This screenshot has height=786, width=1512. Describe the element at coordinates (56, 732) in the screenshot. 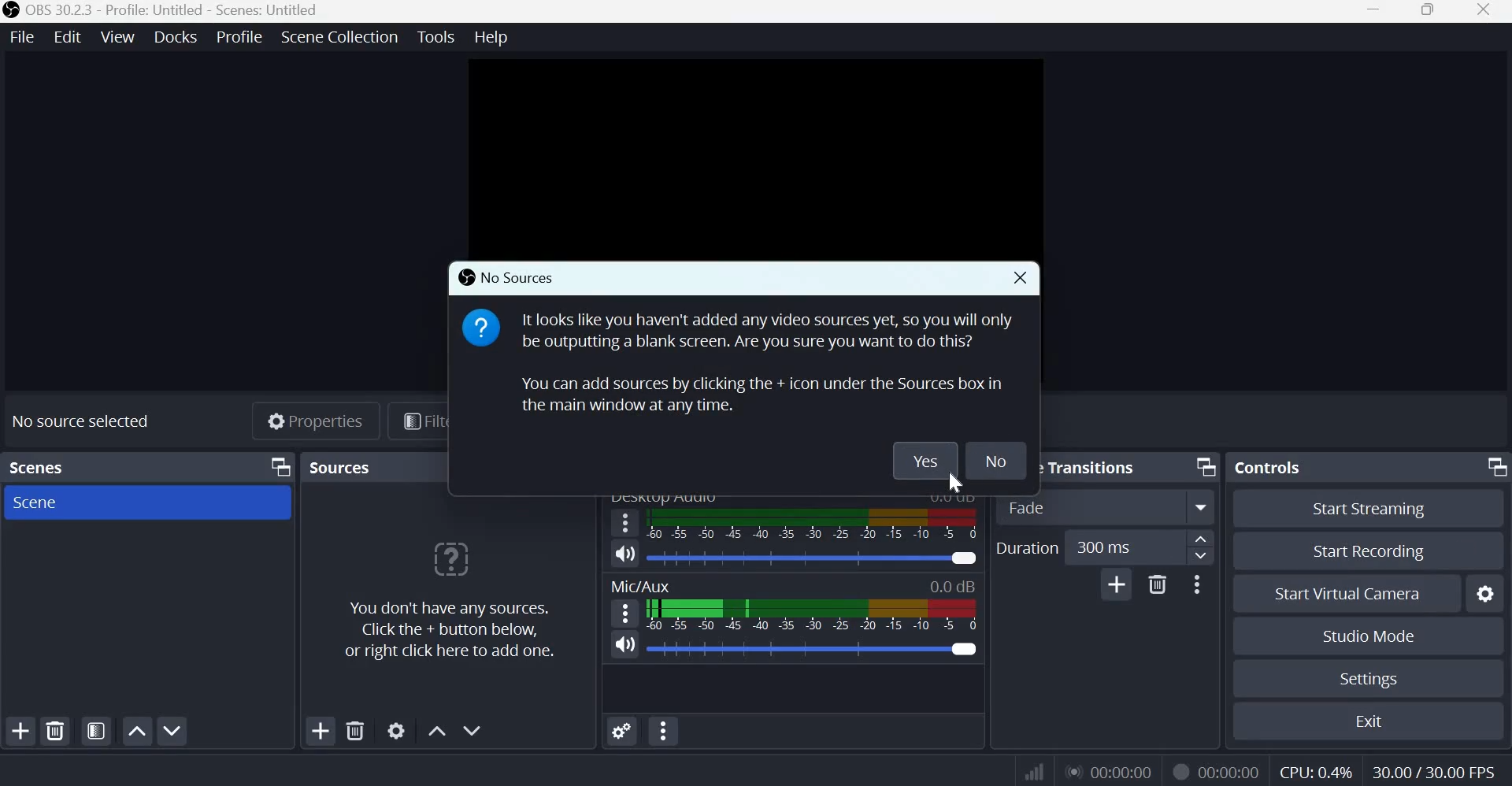

I see `Delete selected scene` at that location.